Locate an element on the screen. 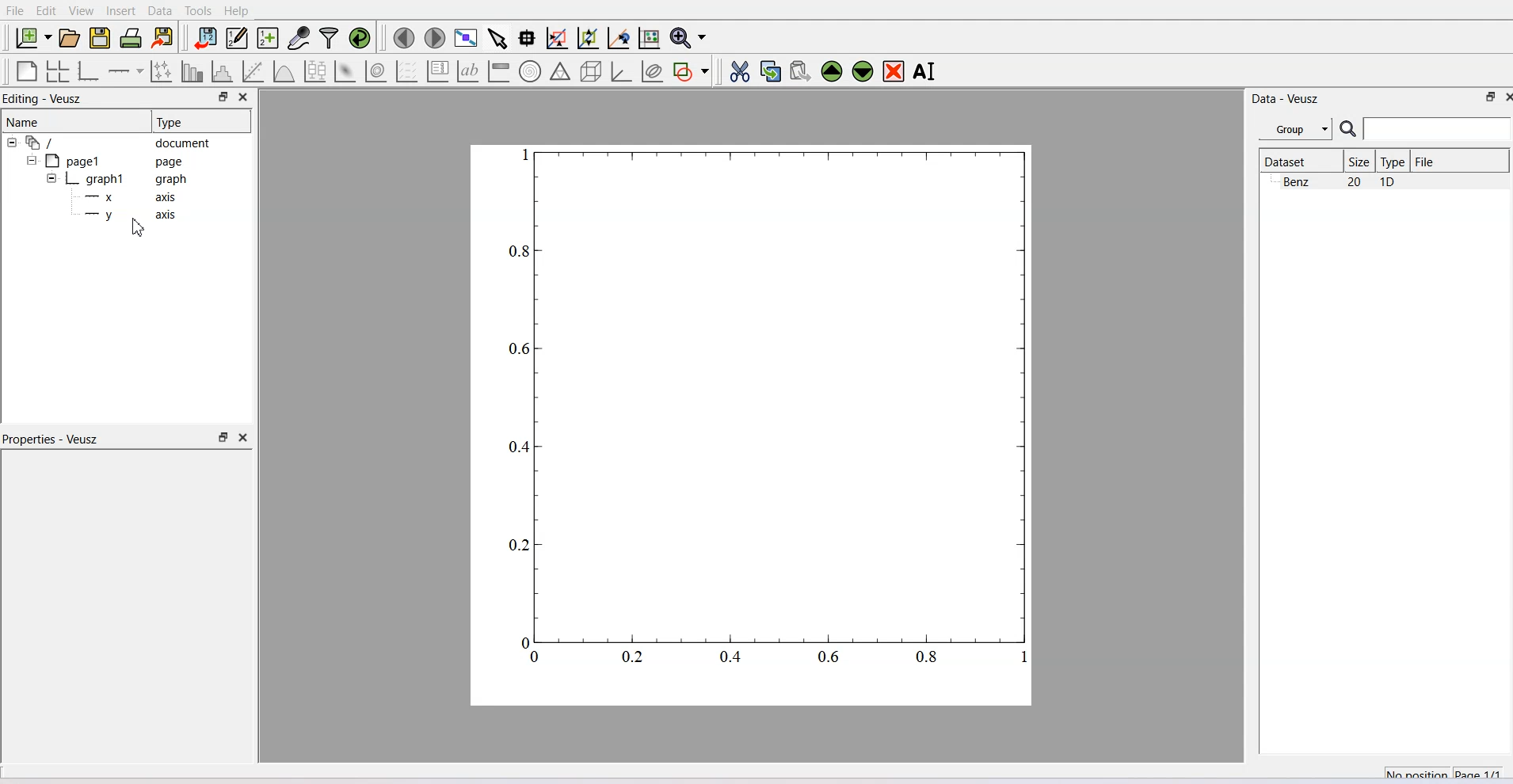 The height and width of the screenshot is (784, 1513). Polar Graph is located at coordinates (530, 72).